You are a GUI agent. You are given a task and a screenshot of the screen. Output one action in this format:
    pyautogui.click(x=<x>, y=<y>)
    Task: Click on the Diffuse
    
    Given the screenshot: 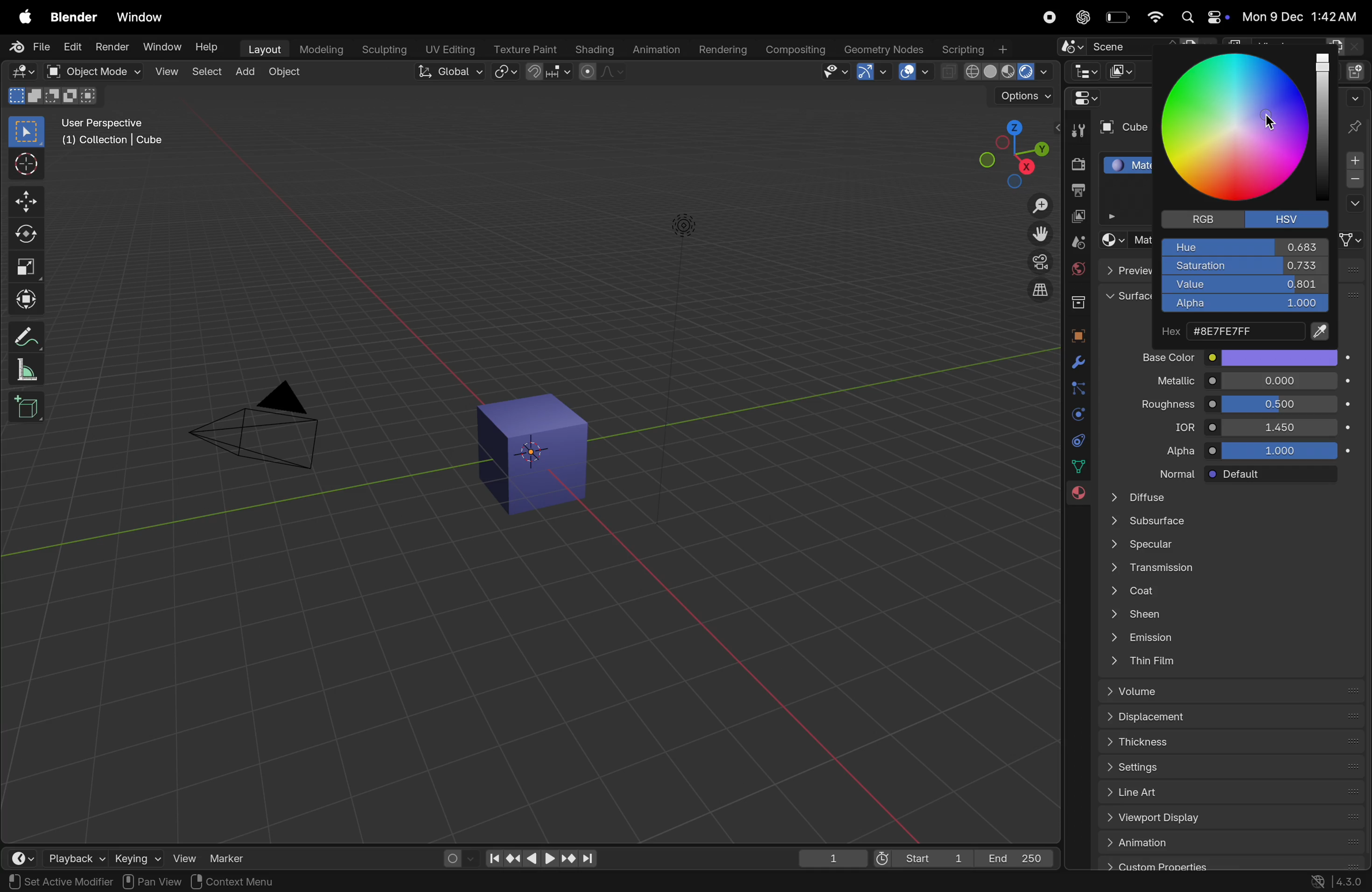 What is the action you would take?
    pyautogui.click(x=1226, y=497)
    